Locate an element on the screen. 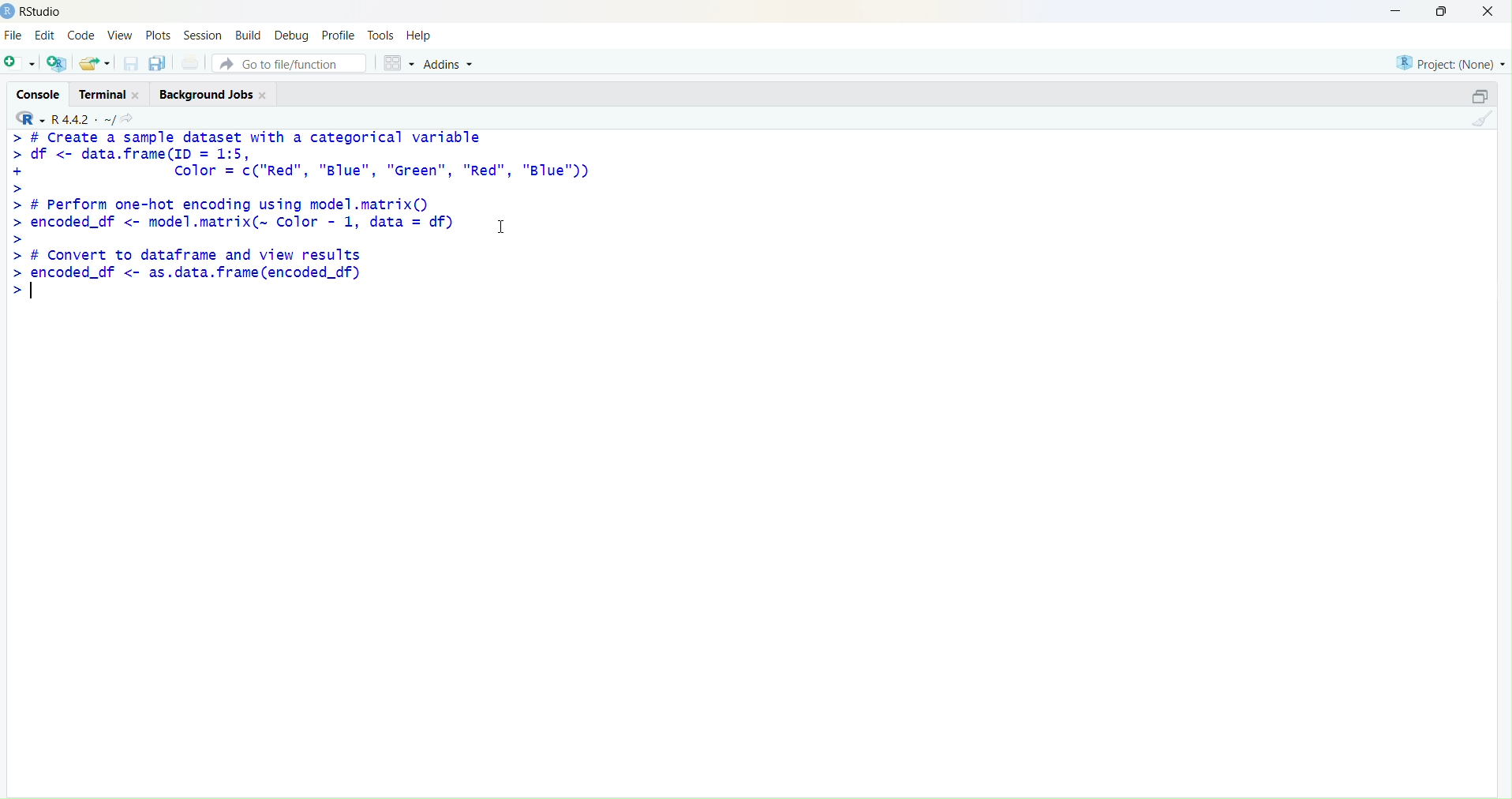  background jobs is located at coordinates (208, 96).